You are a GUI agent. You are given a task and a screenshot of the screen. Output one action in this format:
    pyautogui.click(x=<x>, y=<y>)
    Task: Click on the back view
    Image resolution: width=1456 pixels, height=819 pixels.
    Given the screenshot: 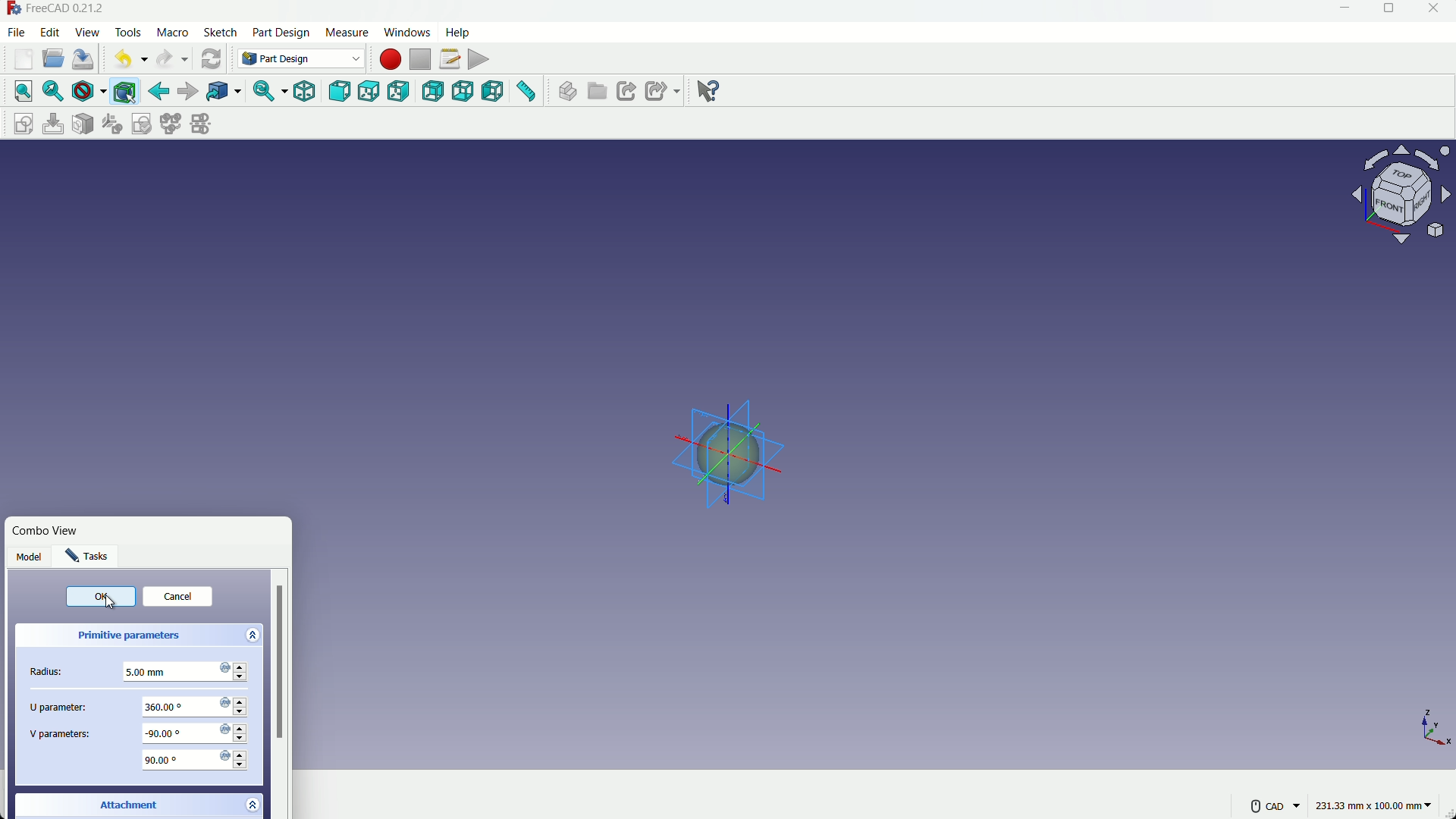 What is the action you would take?
    pyautogui.click(x=433, y=91)
    